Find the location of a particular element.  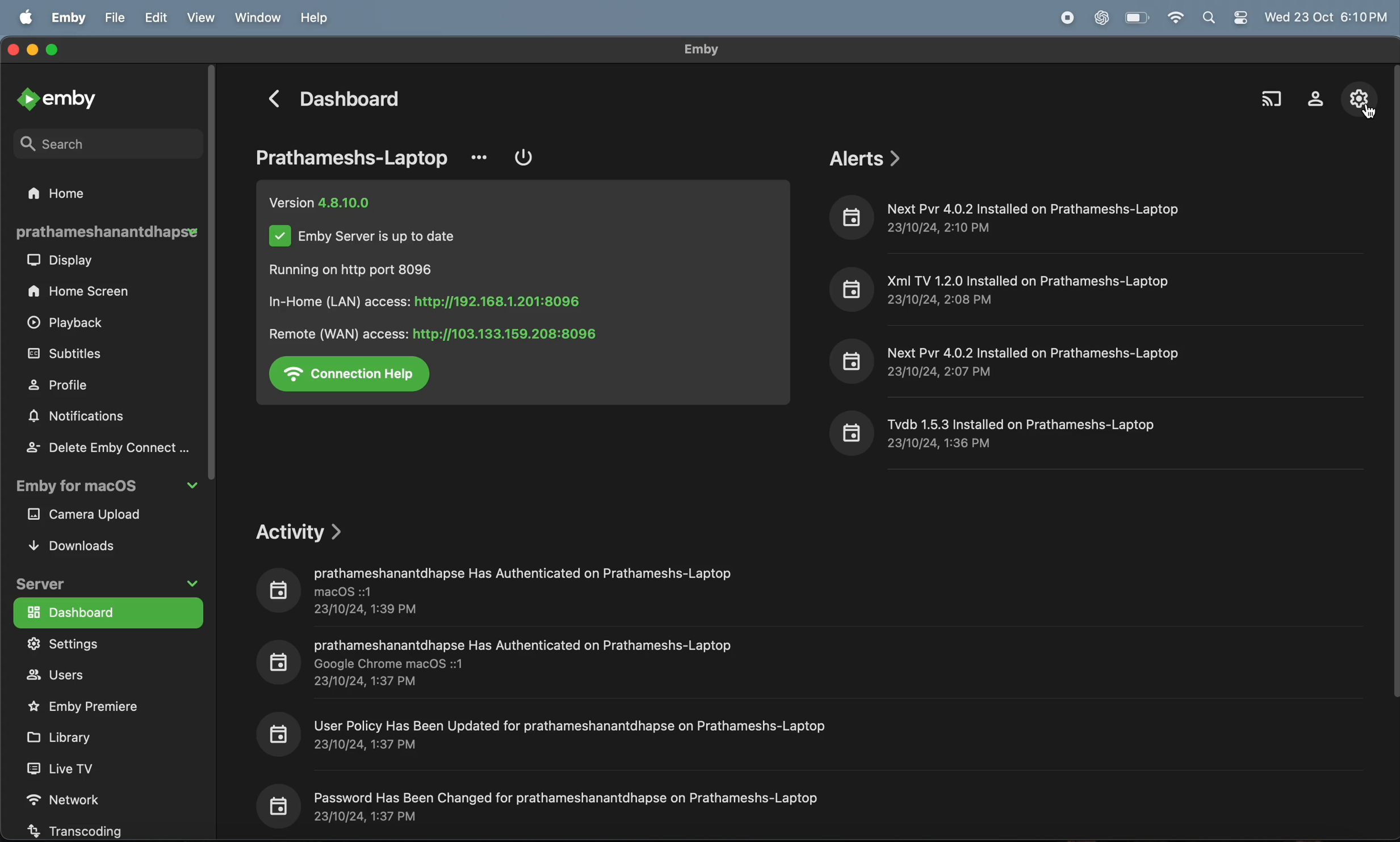

Remote (WAN) access: http://103.133.159.208:8096 is located at coordinates (427, 335).